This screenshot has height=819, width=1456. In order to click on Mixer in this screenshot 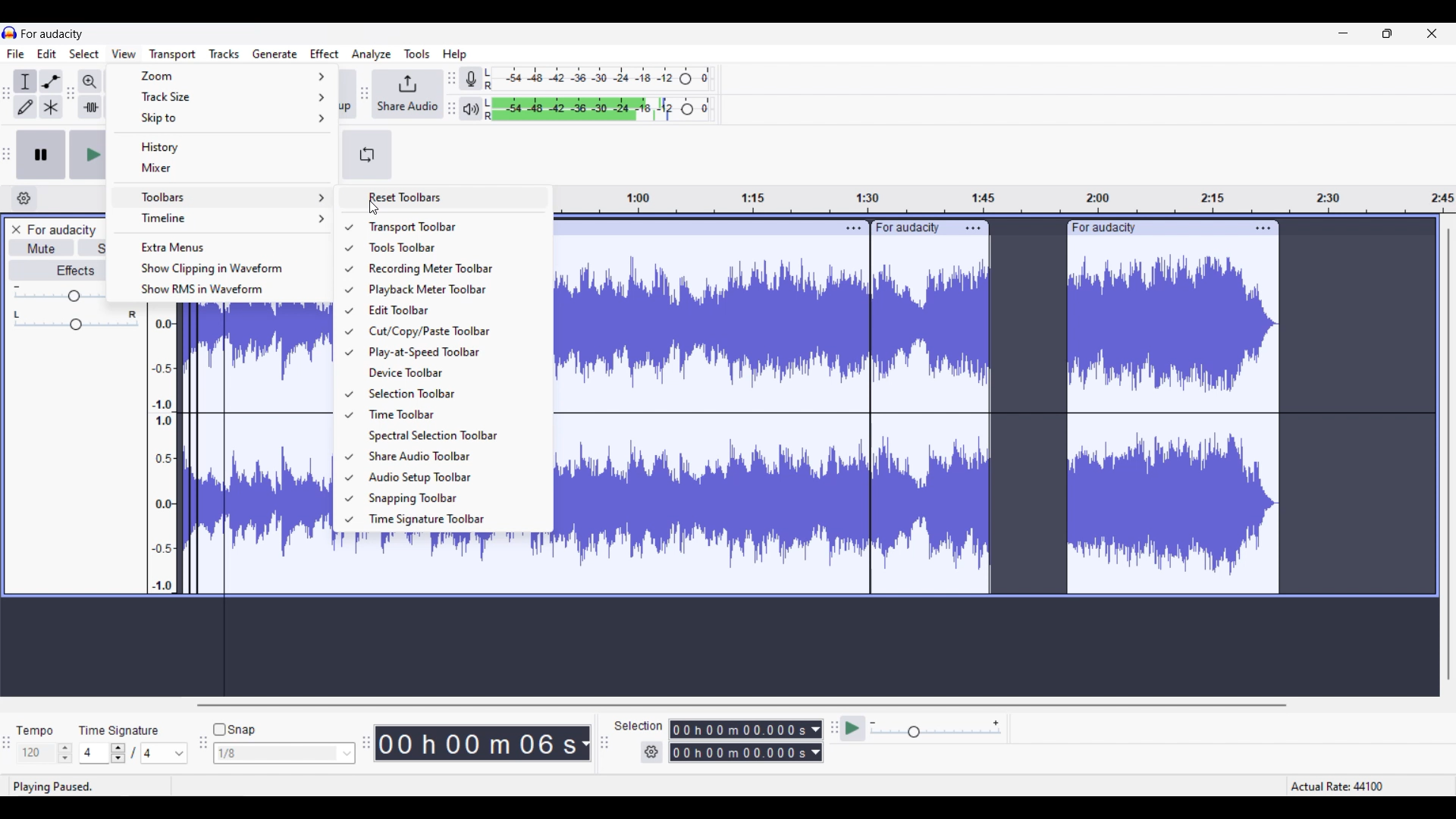, I will do `click(224, 168)`.